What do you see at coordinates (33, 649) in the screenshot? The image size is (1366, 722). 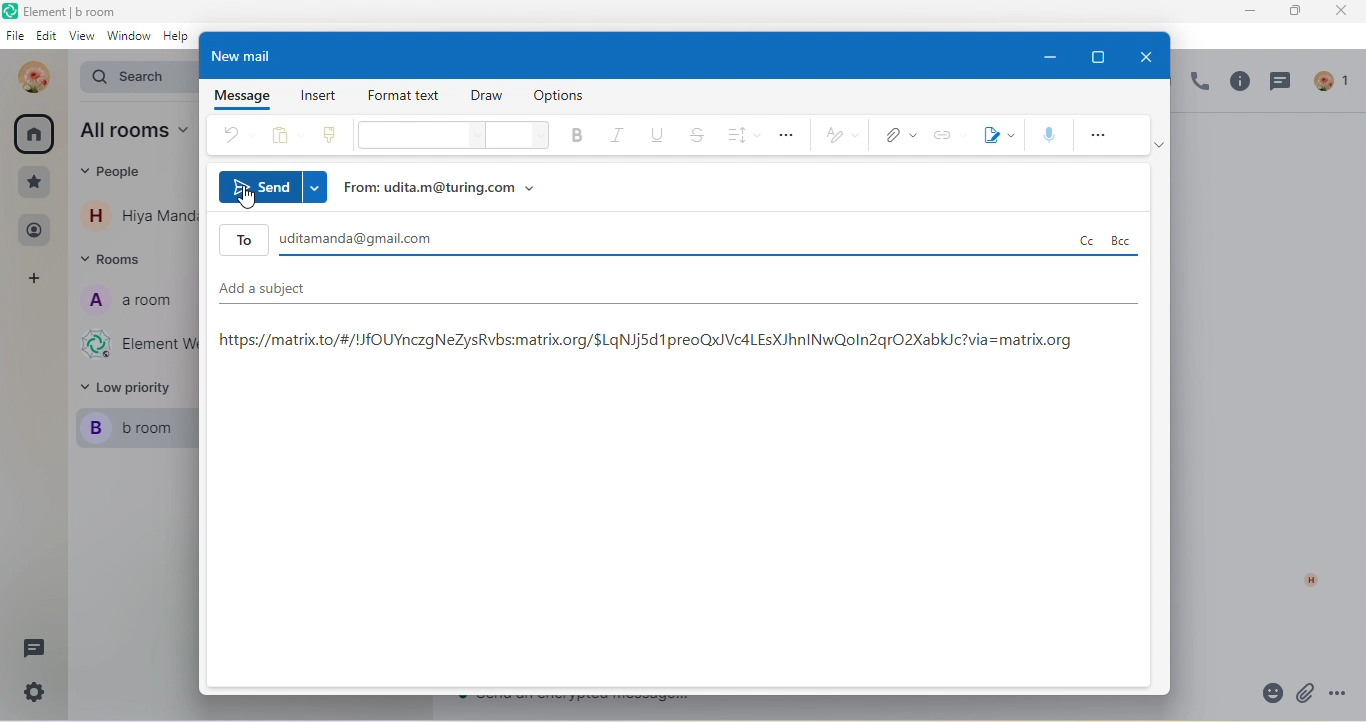 I see `thread` at bounding box center [33, 649].